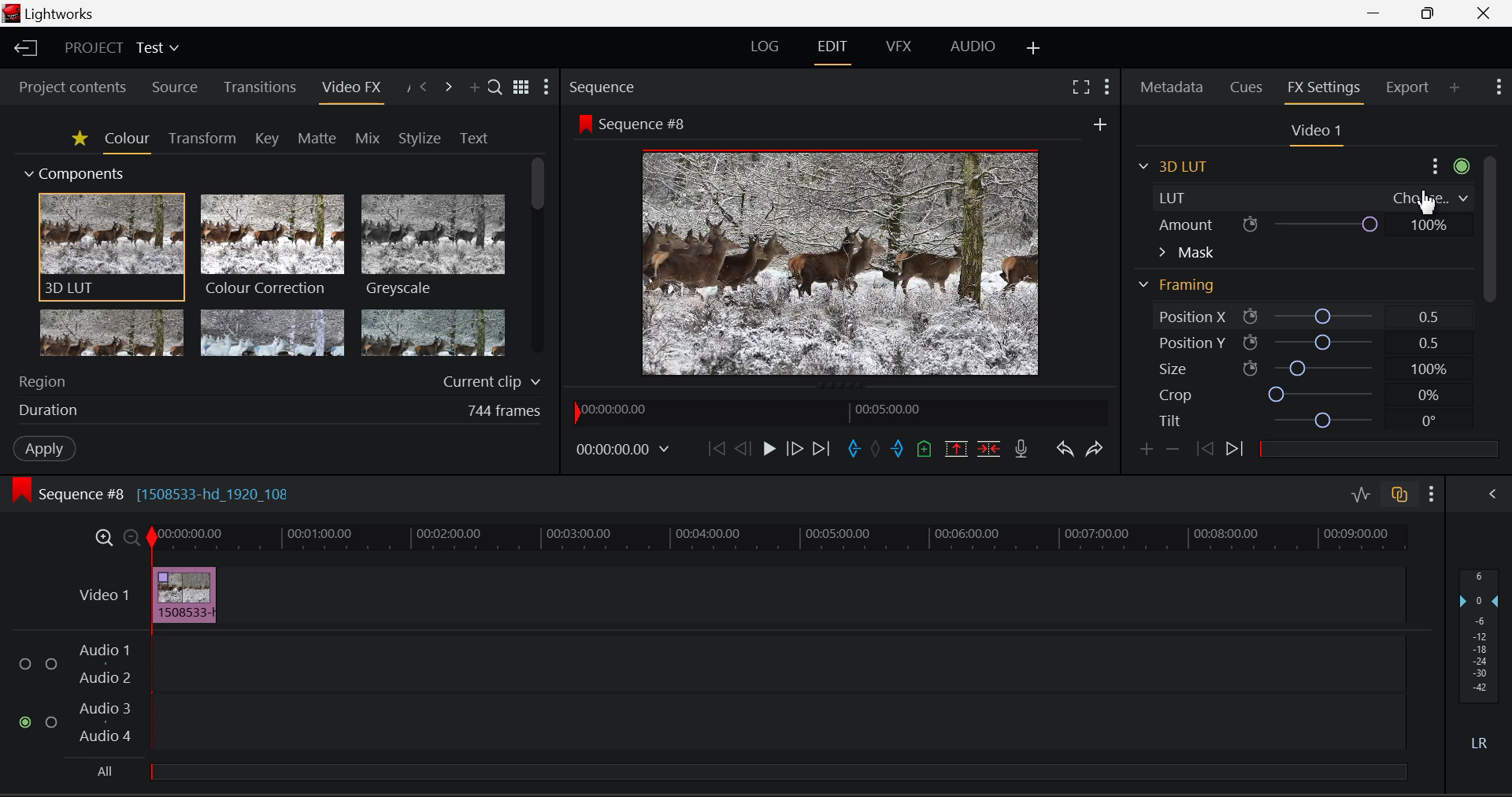 This screenshot has width=1512, height=797. I want to click on Window Title, so click(52, 13).